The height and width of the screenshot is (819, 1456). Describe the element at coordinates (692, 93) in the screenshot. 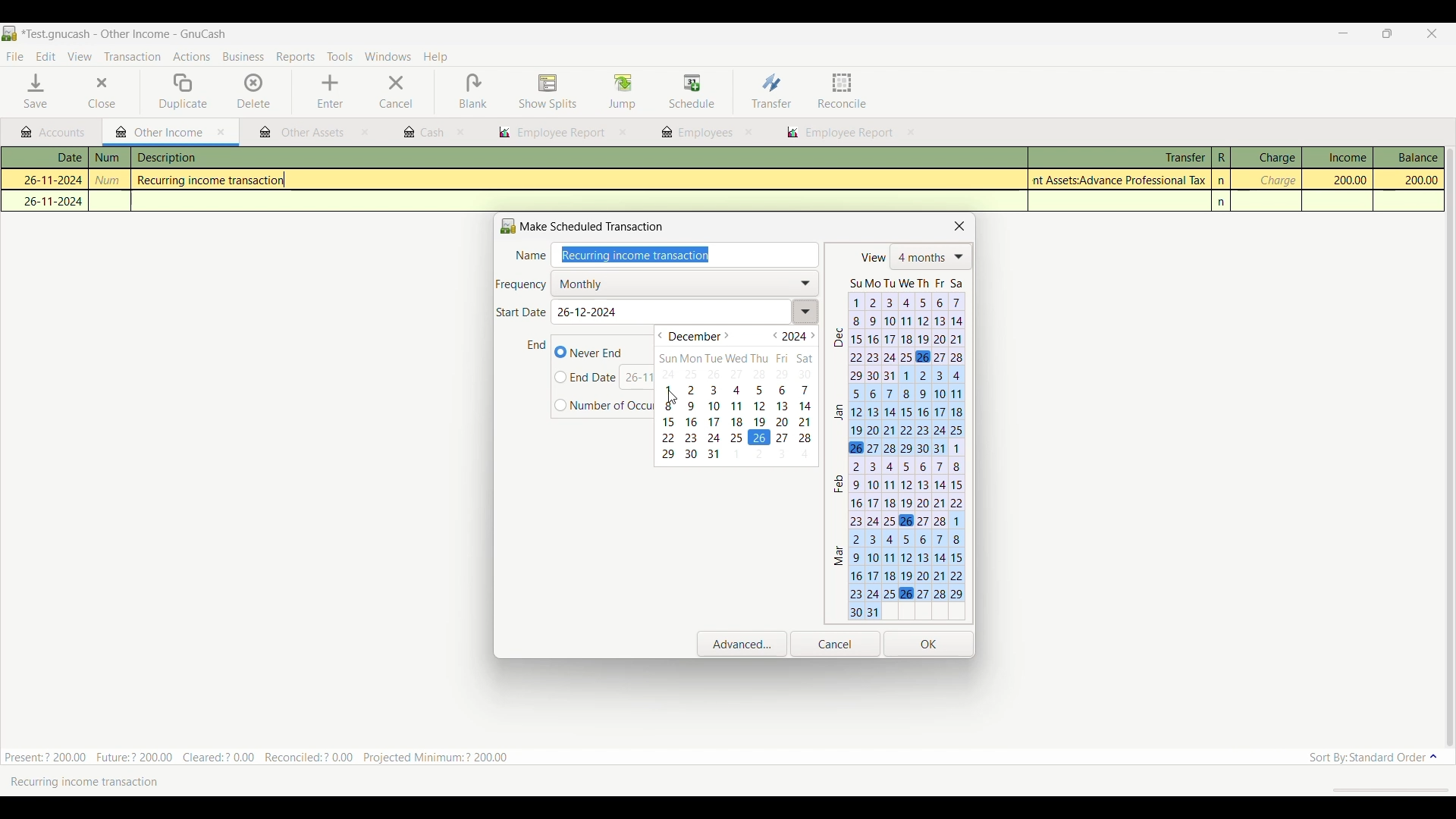

I see `Schedule highlighted after selection by cursor` at that location.